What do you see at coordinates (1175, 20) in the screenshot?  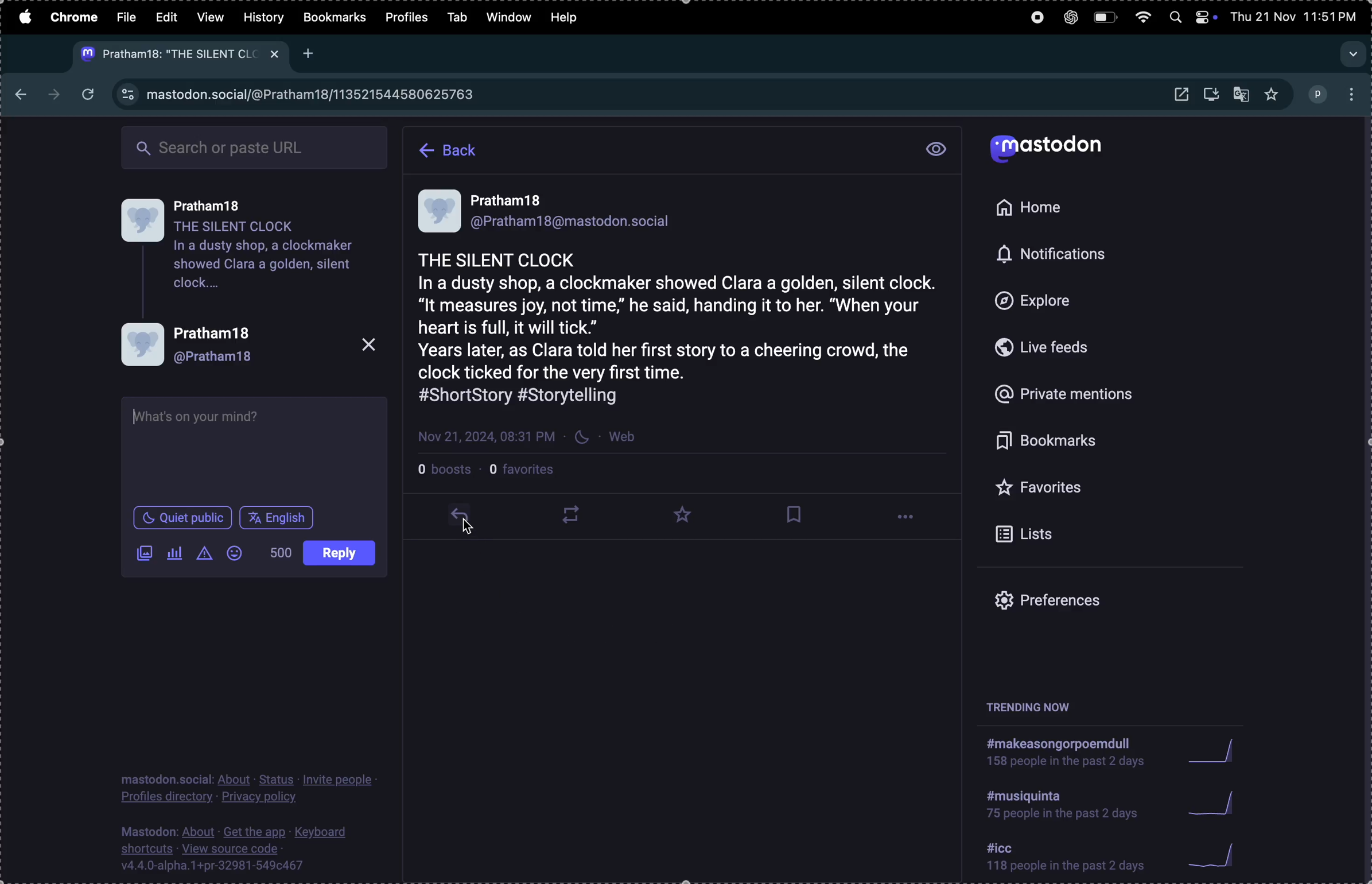 I see `spotlight search` at bounding box center [1175, 20].